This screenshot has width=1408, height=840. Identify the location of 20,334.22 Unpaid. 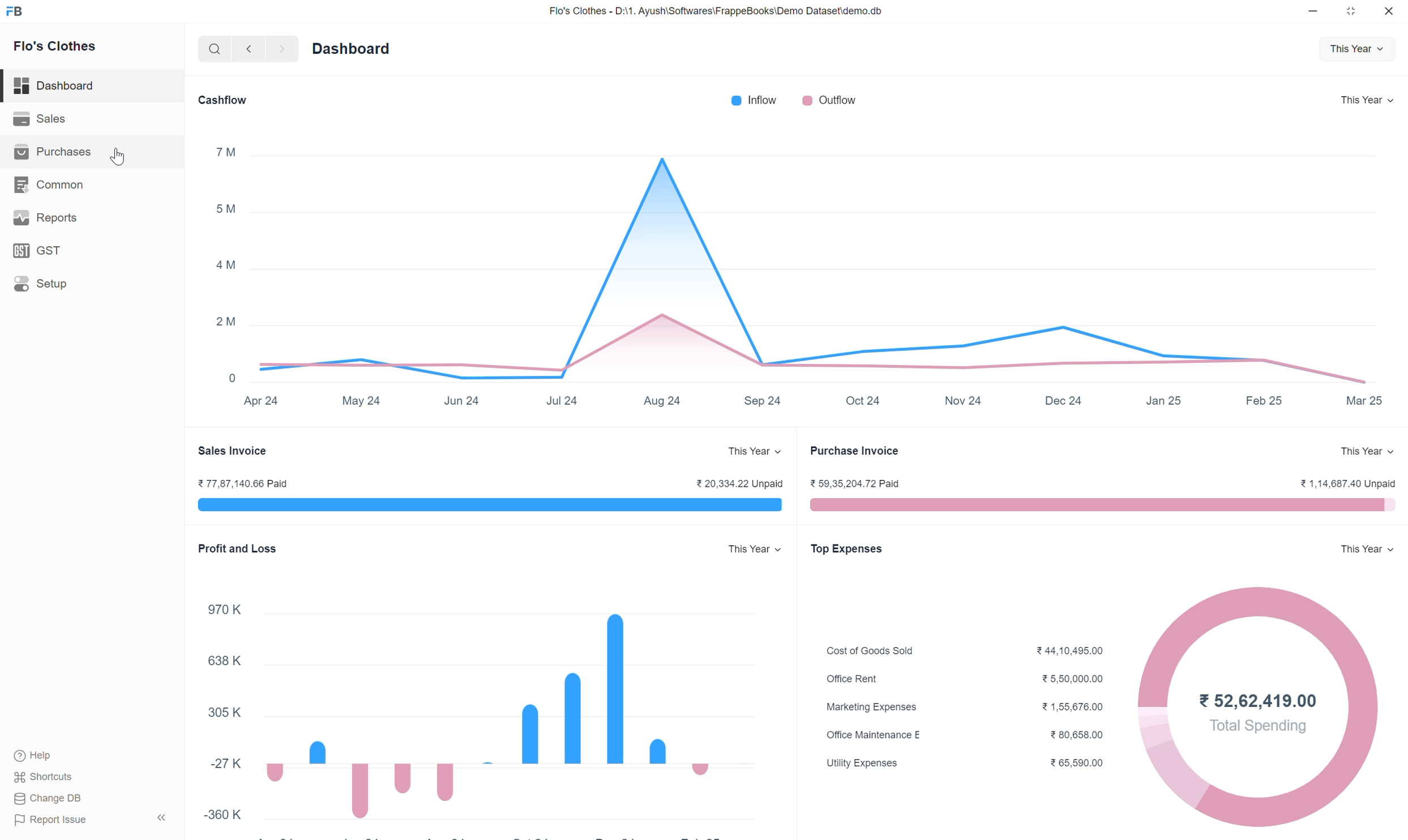
(739, 483).